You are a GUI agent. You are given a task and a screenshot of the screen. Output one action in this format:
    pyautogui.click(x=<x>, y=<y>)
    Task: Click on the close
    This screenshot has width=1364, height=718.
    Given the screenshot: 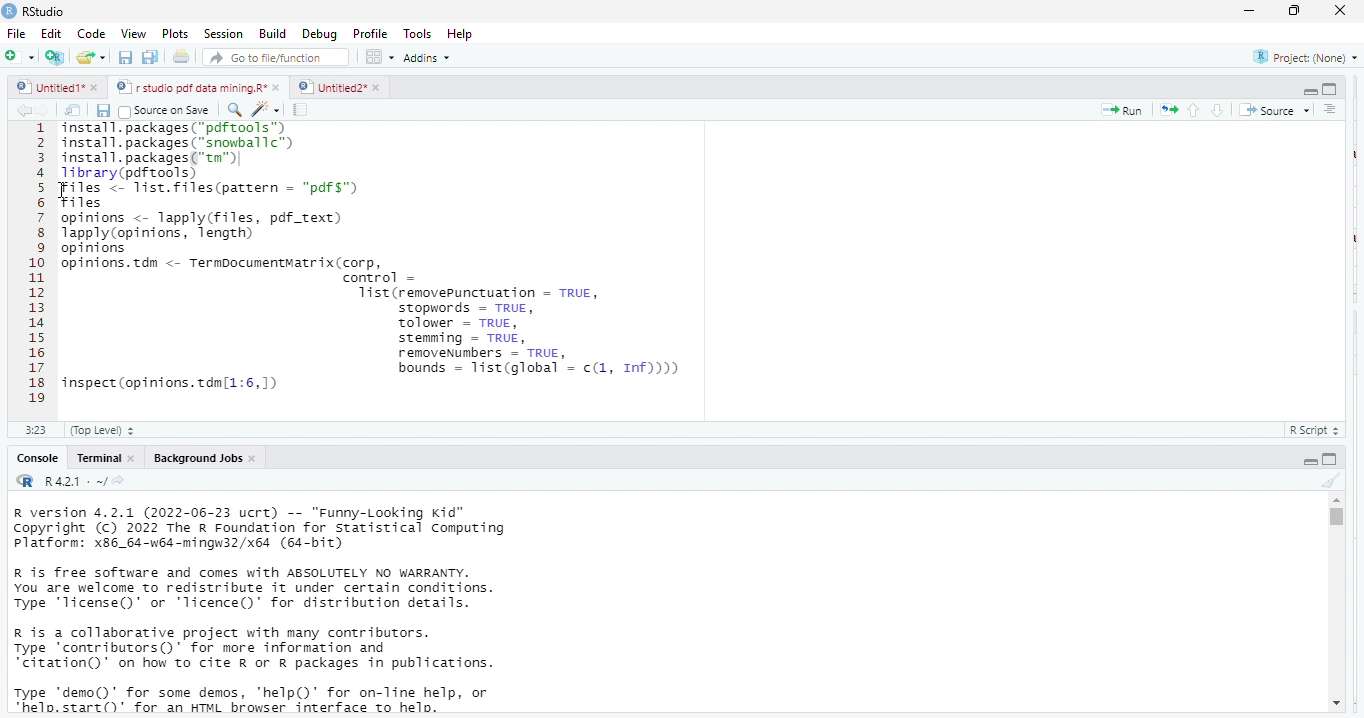 What is the action you would take?
    pyautogui.click(x=376, y=87)
    